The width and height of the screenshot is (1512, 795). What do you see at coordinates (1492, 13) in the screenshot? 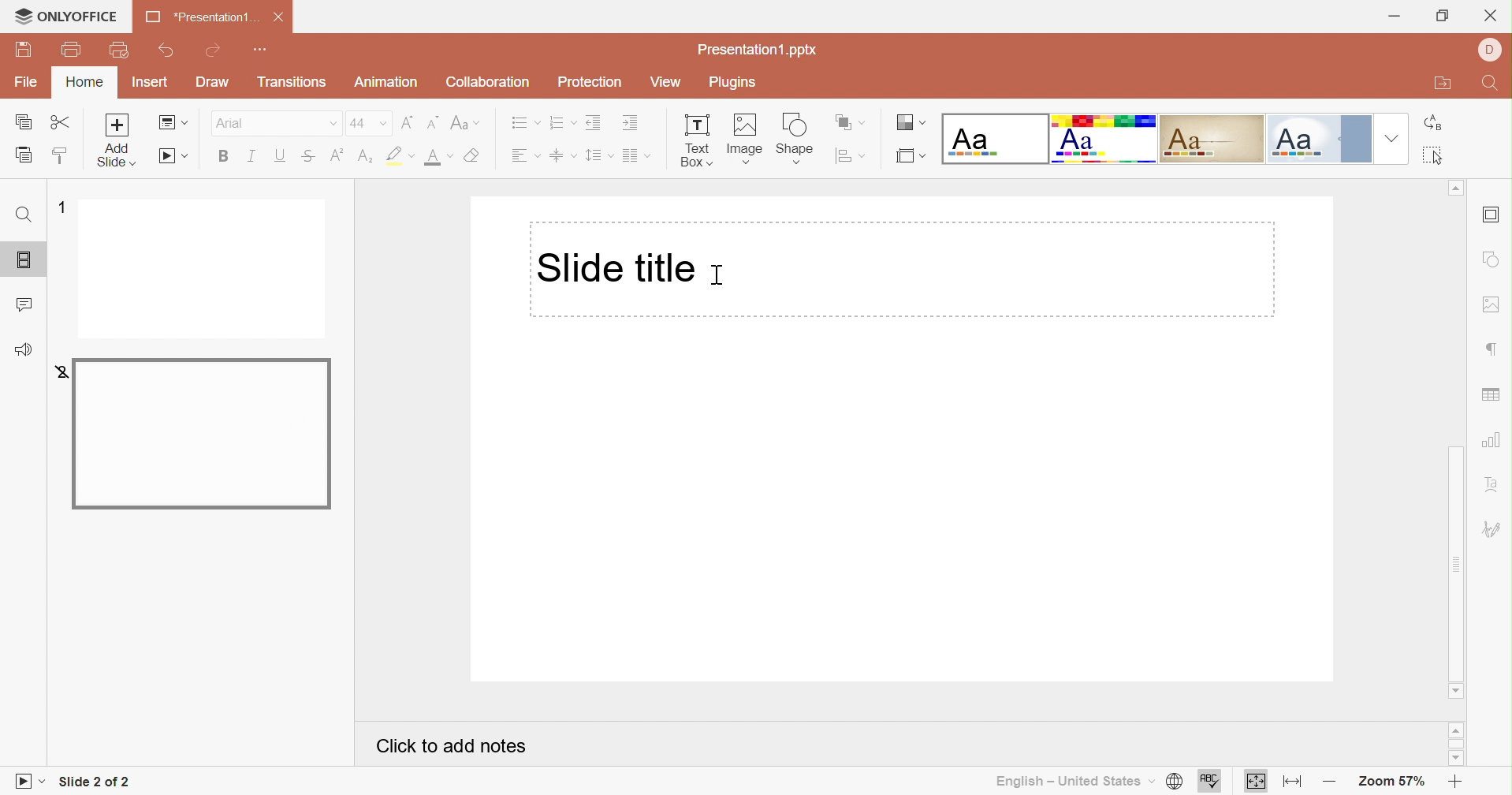
I see `Close` at bounding box center [1492, 13].